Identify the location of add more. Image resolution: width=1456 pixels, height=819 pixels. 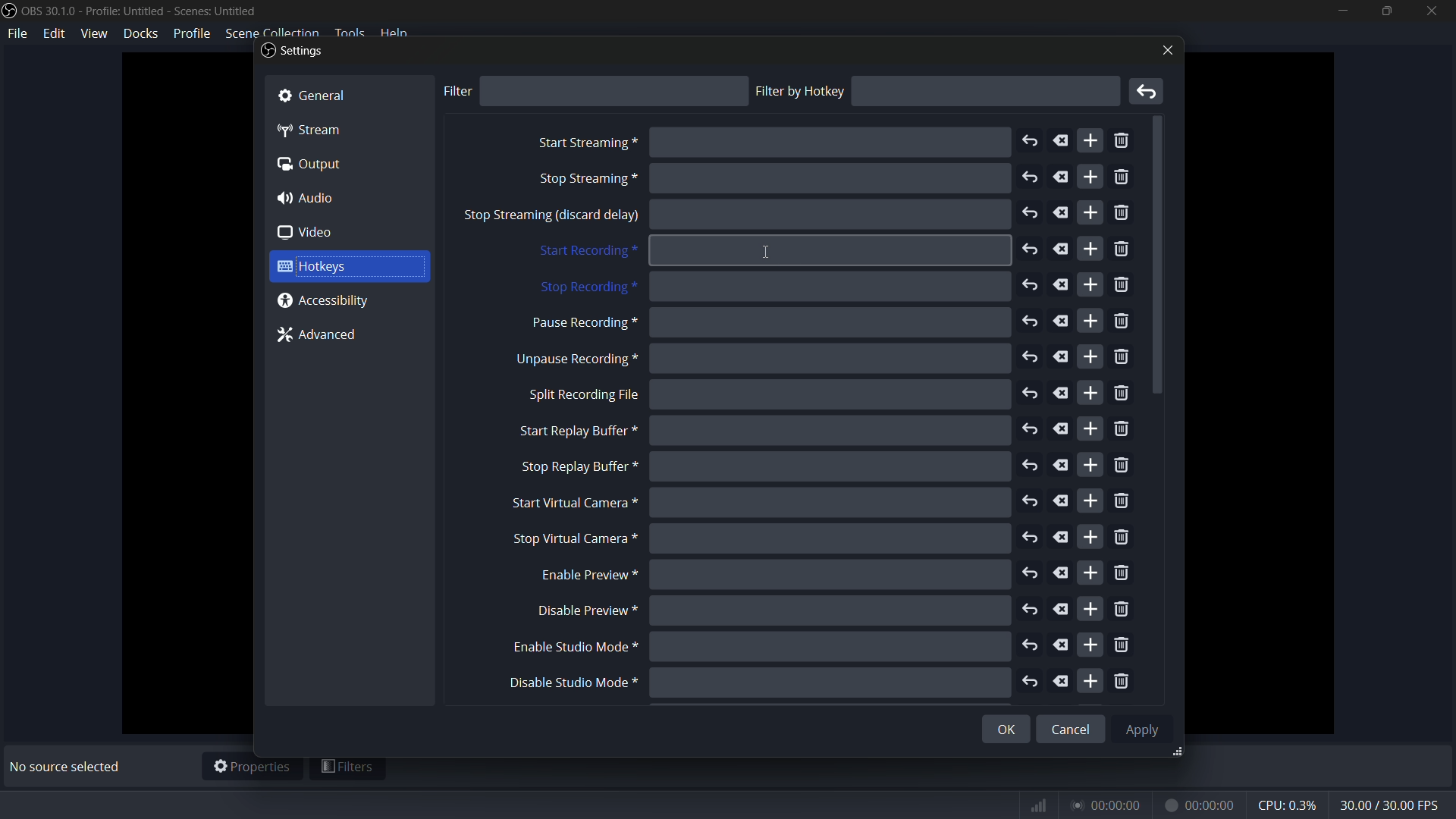
(1092, 536).